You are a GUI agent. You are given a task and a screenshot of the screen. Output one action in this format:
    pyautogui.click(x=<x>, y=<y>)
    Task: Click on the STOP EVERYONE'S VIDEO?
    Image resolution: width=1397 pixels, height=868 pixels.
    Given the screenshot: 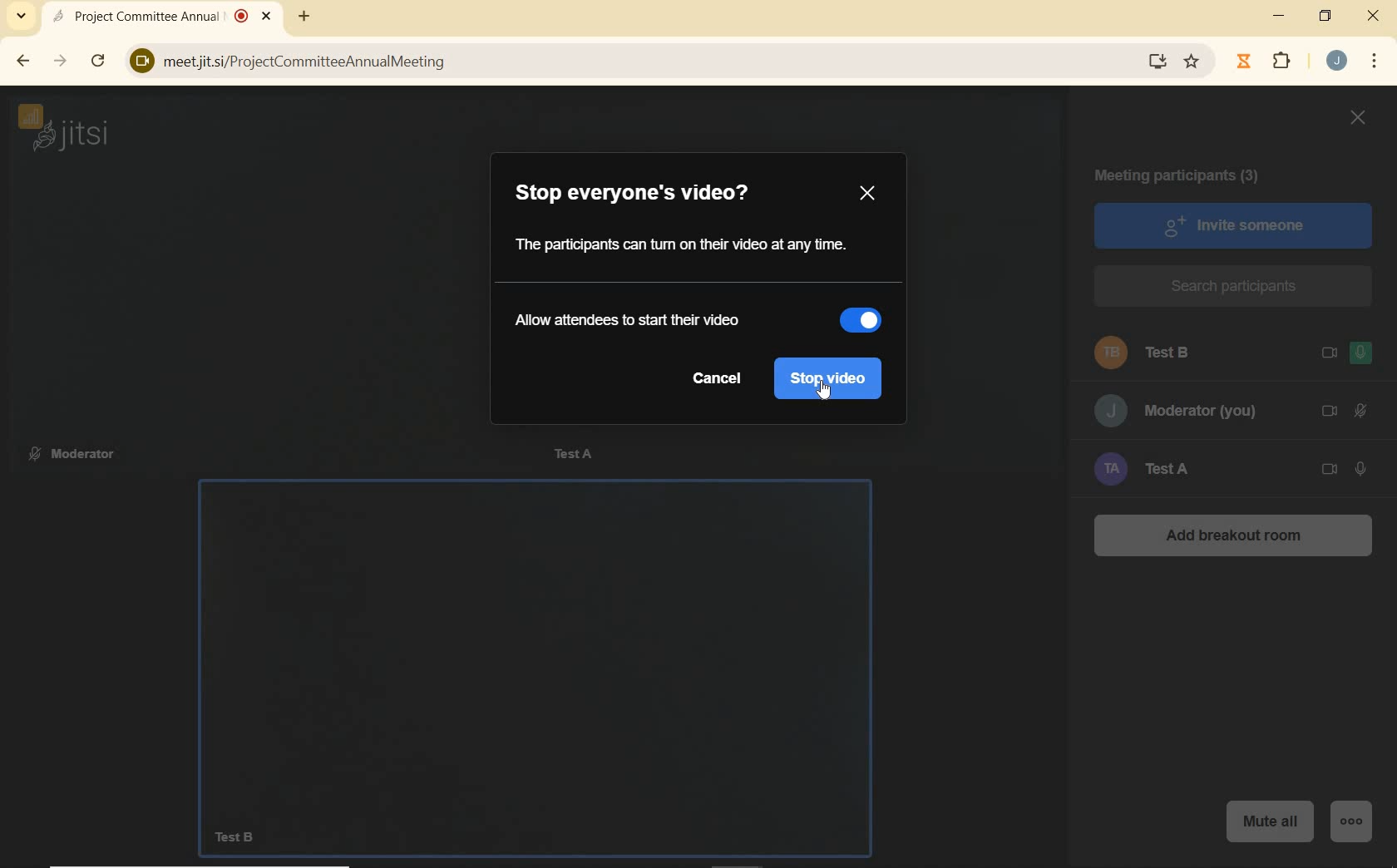 What is the action you would take?
    pyautogui.click(x=641, y=195)
    